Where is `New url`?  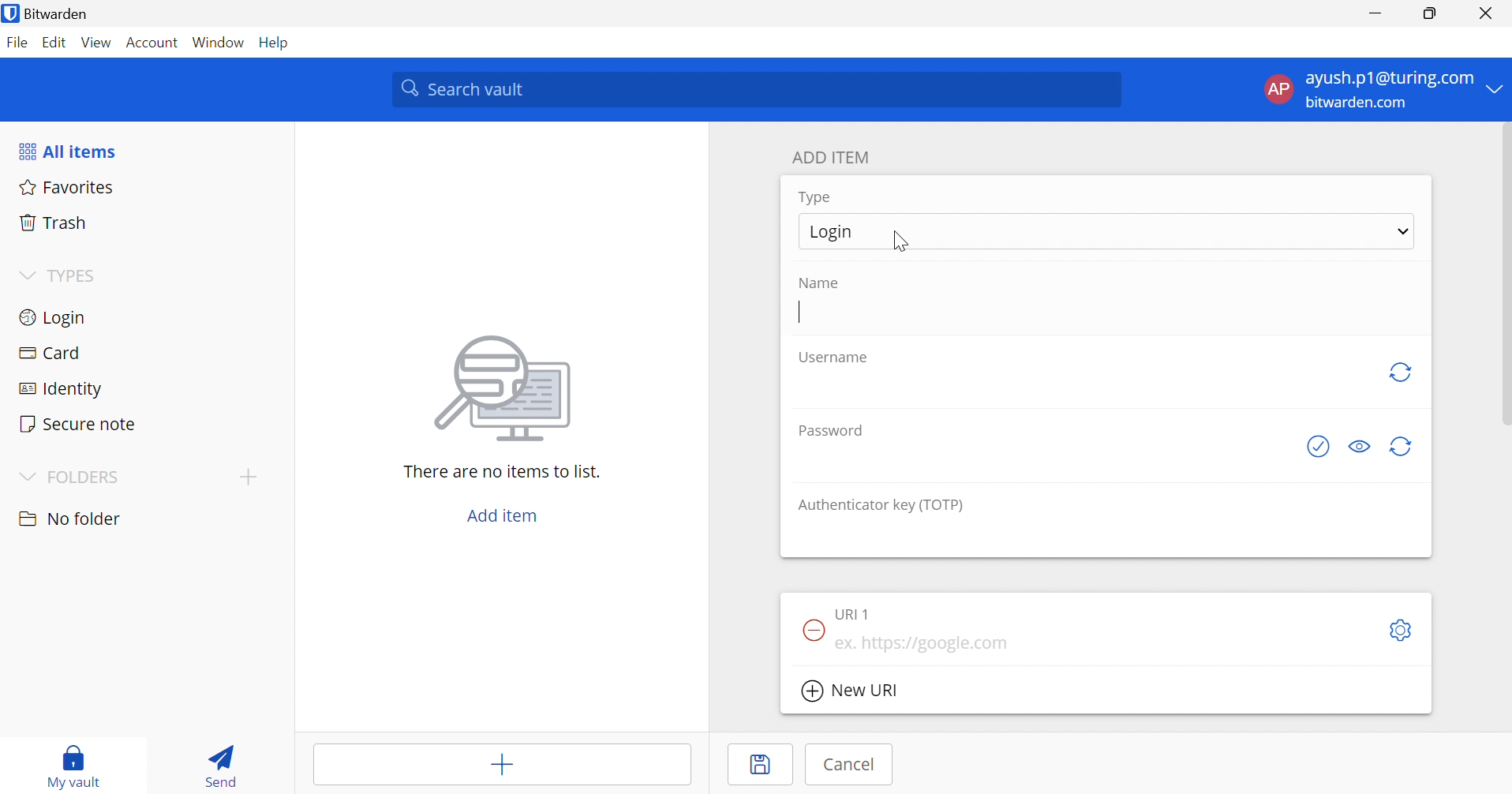 New url is located at coordinates (855, 692).